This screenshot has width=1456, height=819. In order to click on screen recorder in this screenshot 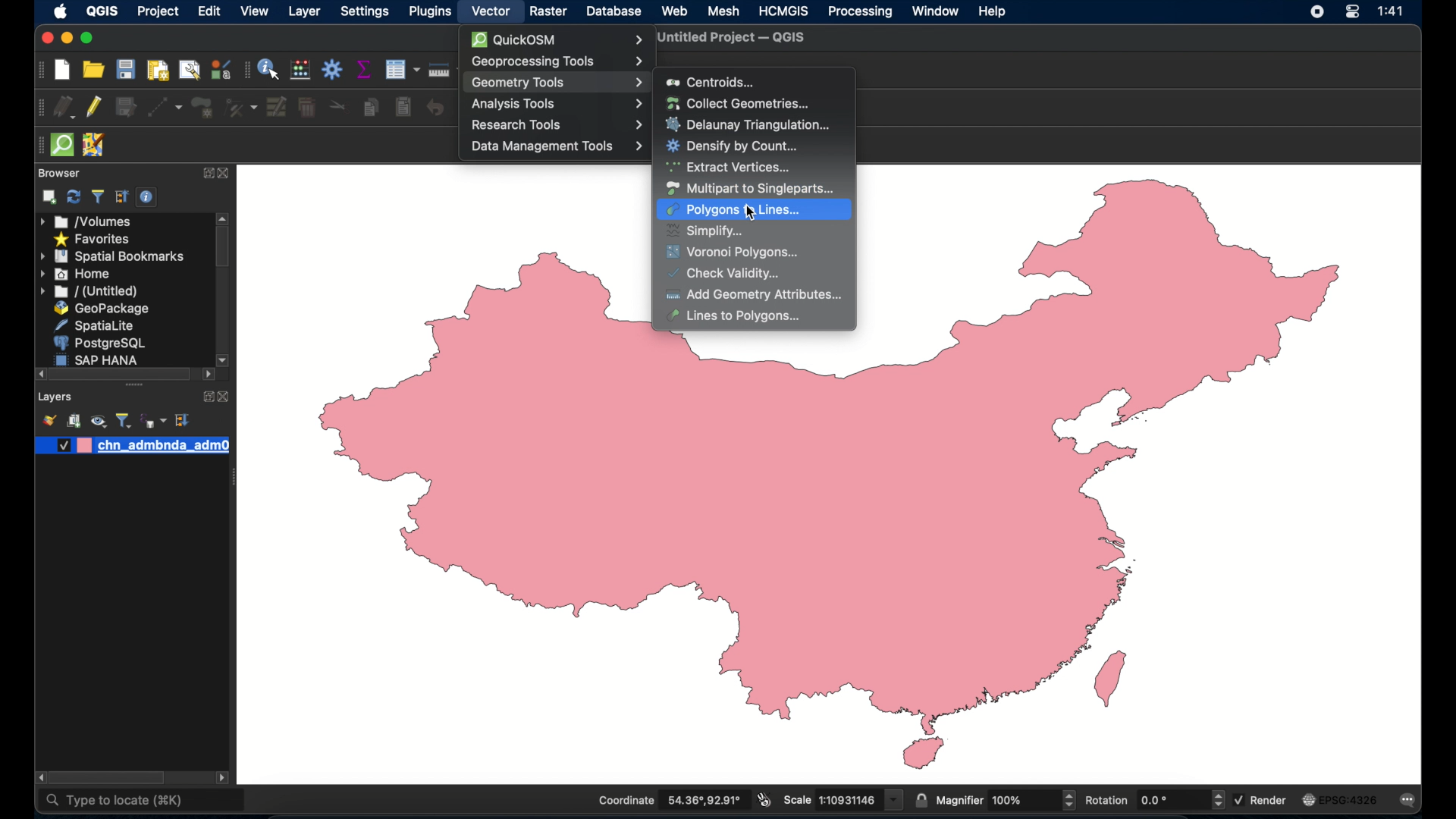, I will do `click(1316, 13)`.